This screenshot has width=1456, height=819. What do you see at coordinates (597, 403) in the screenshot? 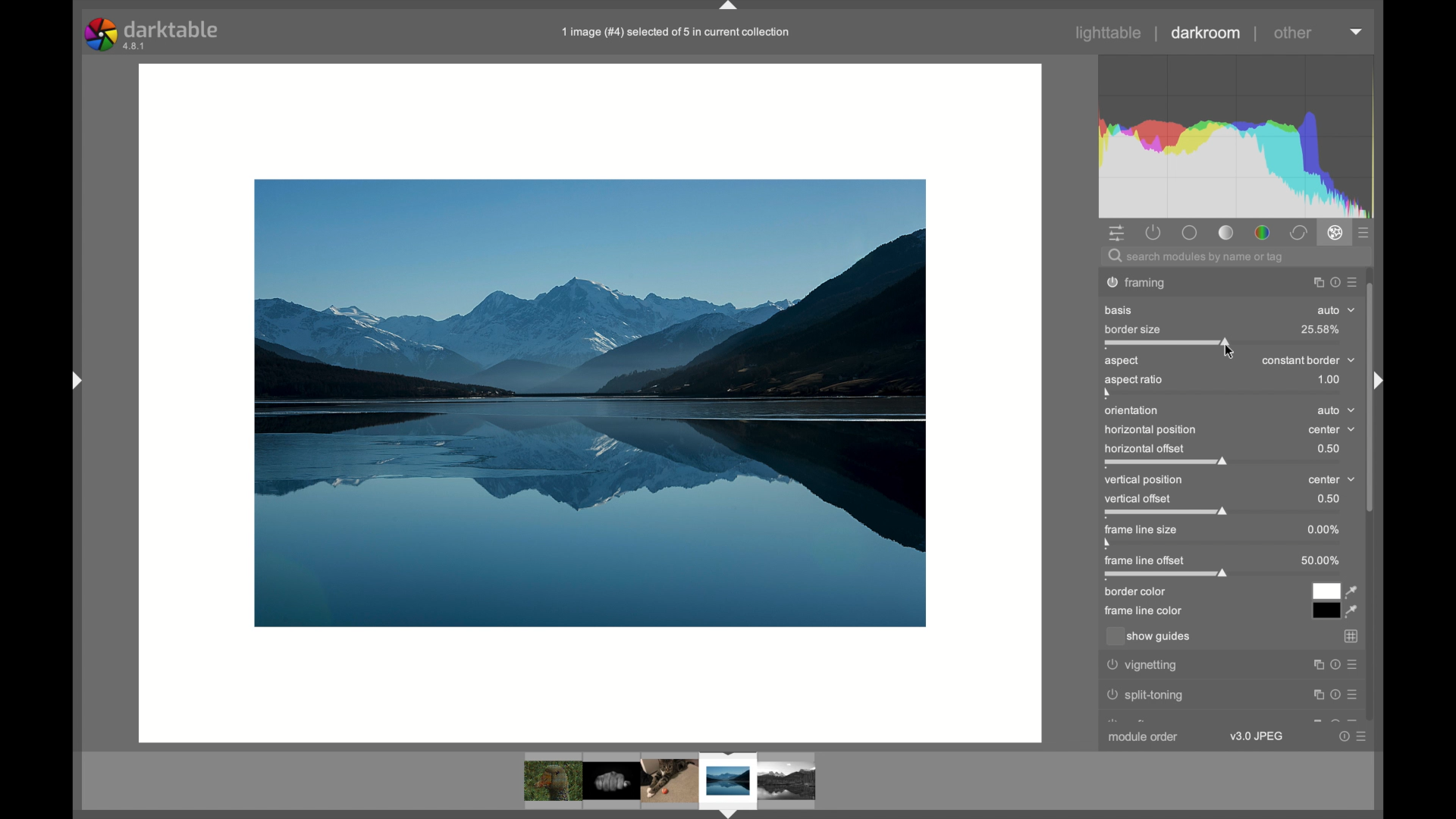
I see `photo preview` at bounding box center [597, 403].